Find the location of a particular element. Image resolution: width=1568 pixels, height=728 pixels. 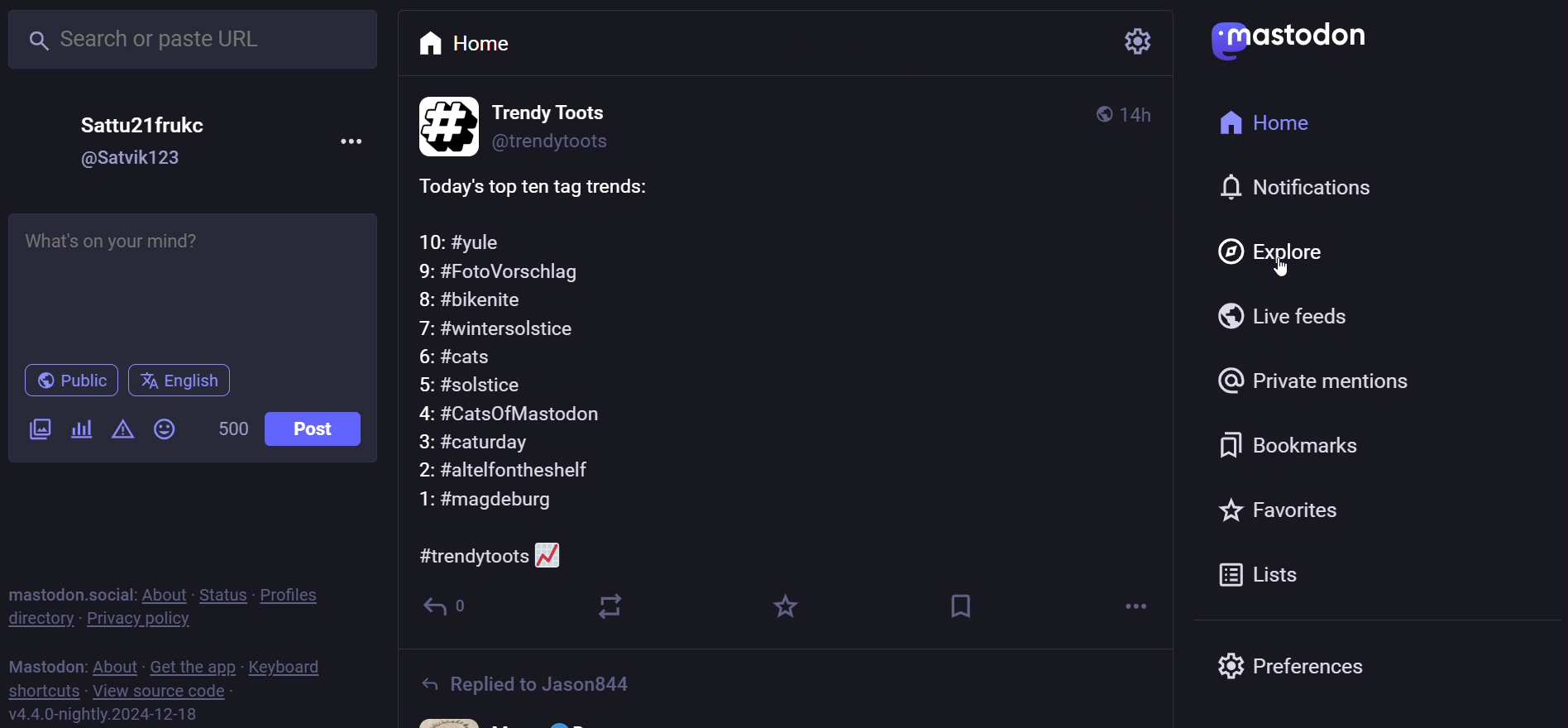

notification is located at coordinates (1297, 186).